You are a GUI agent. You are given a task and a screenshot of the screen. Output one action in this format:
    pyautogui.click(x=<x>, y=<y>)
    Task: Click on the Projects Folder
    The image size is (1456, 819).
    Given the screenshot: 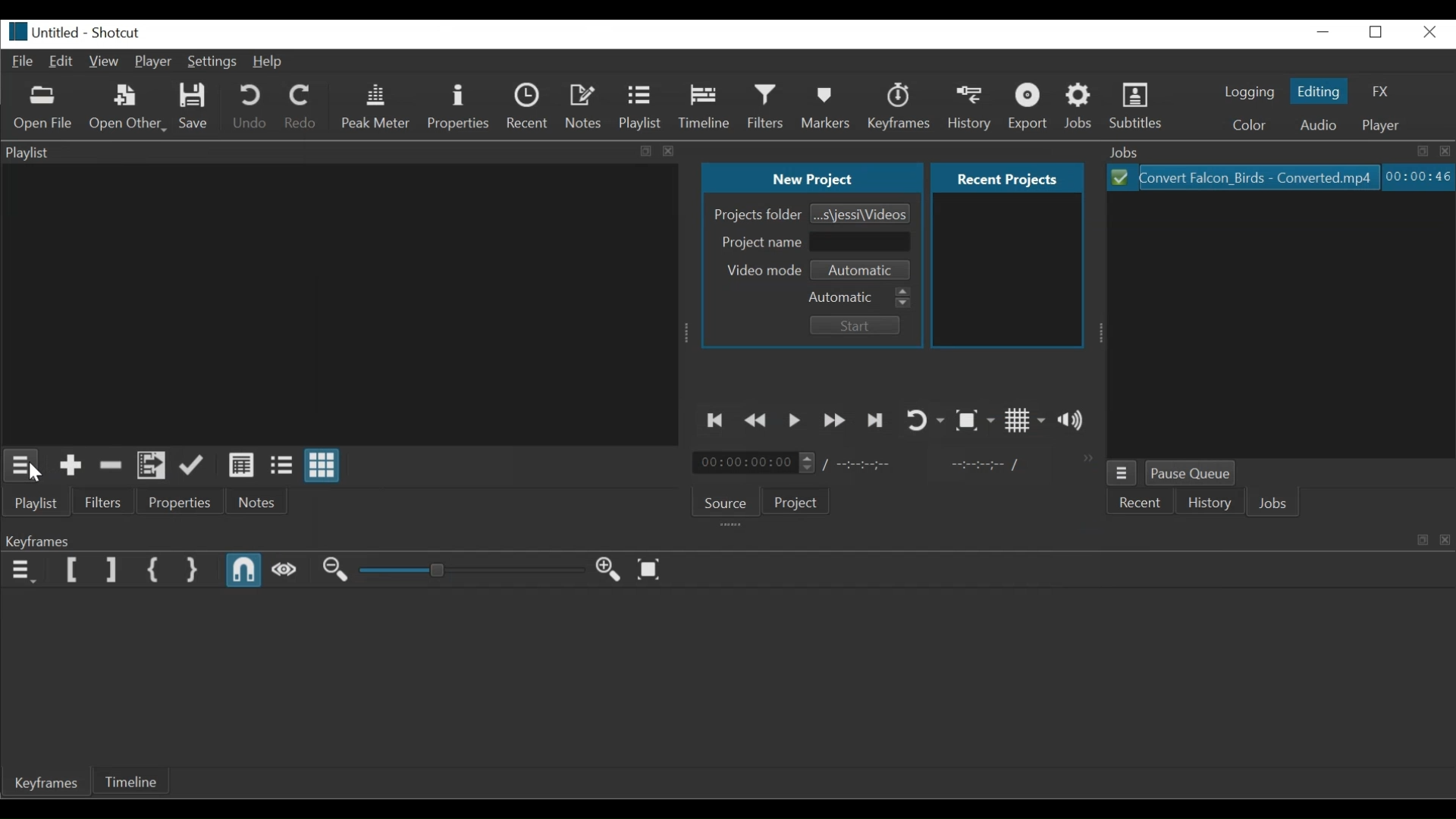 What is the action you would take?
    pyautogui.click(x=757, y=216)
    